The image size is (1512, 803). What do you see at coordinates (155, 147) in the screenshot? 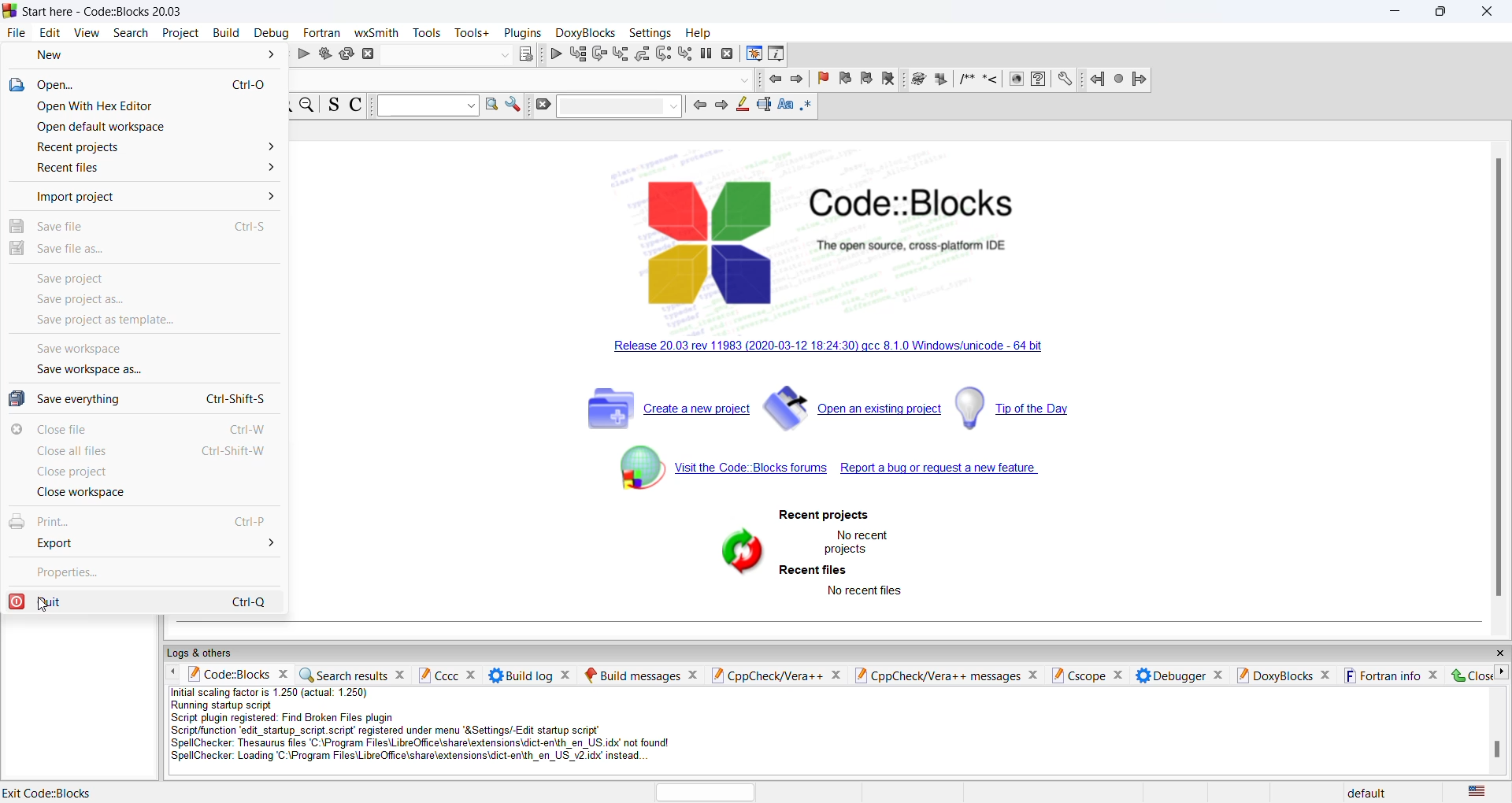
I see `Recent projects` at bounding box center [155, 147].